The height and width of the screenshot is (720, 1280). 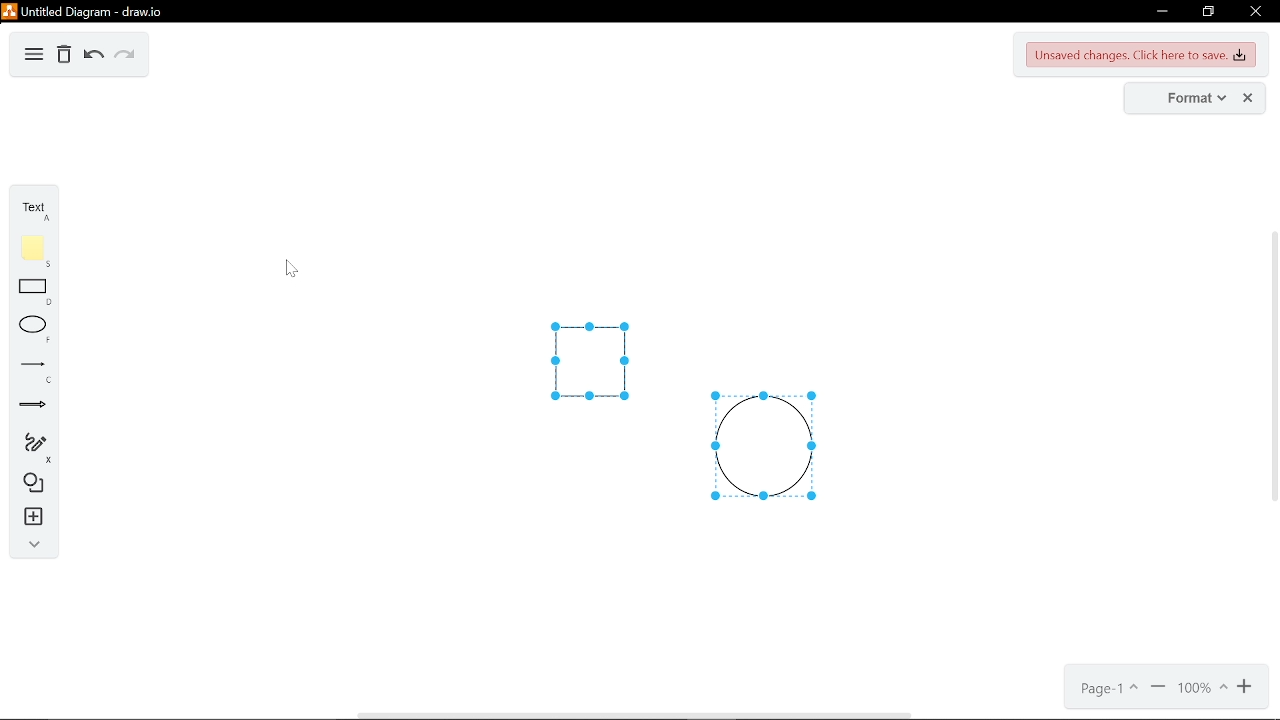 I want to click on redo, so click(x=123, y=58).